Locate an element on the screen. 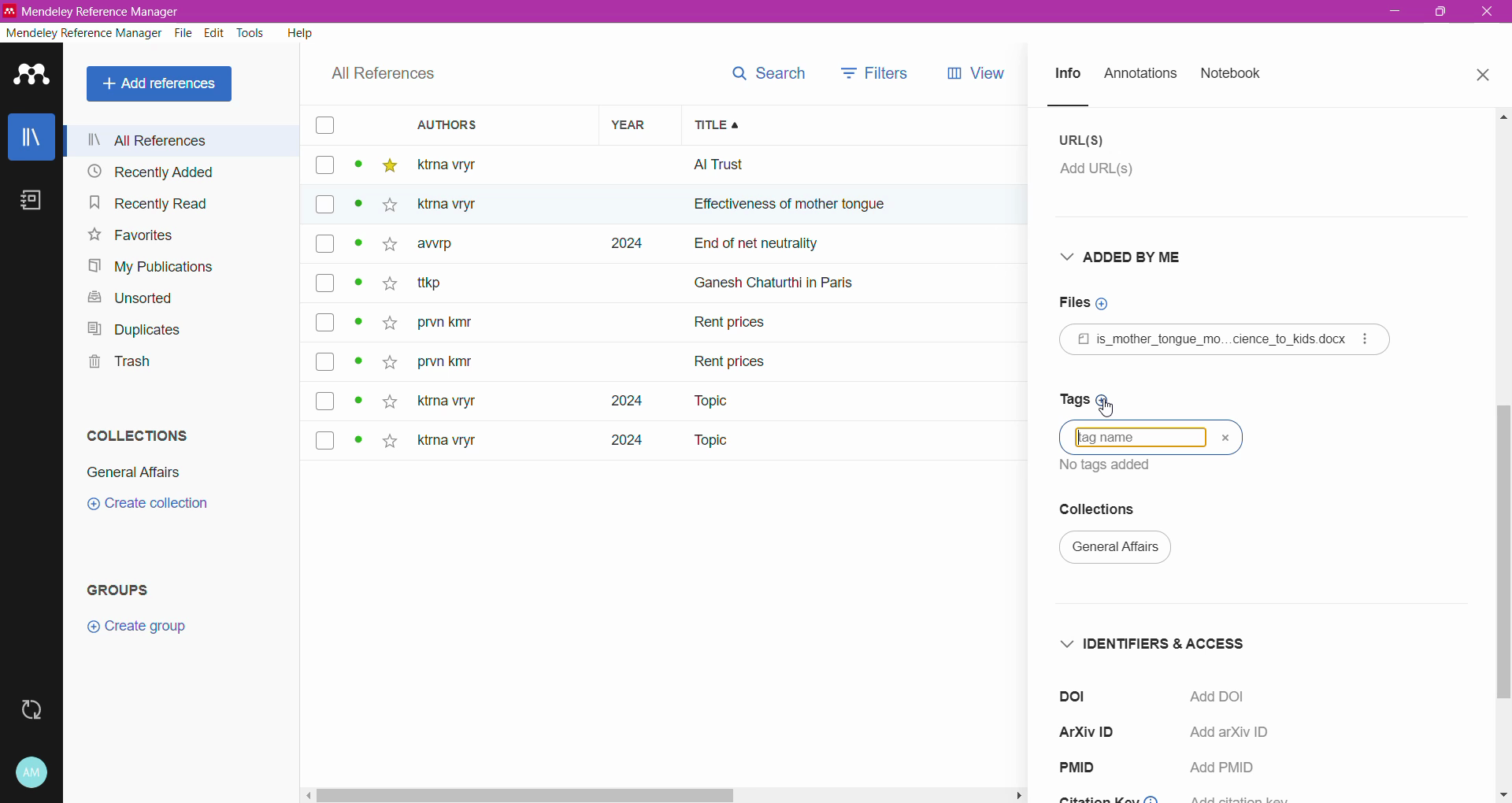  line  is located at coordinates (1083, 105).